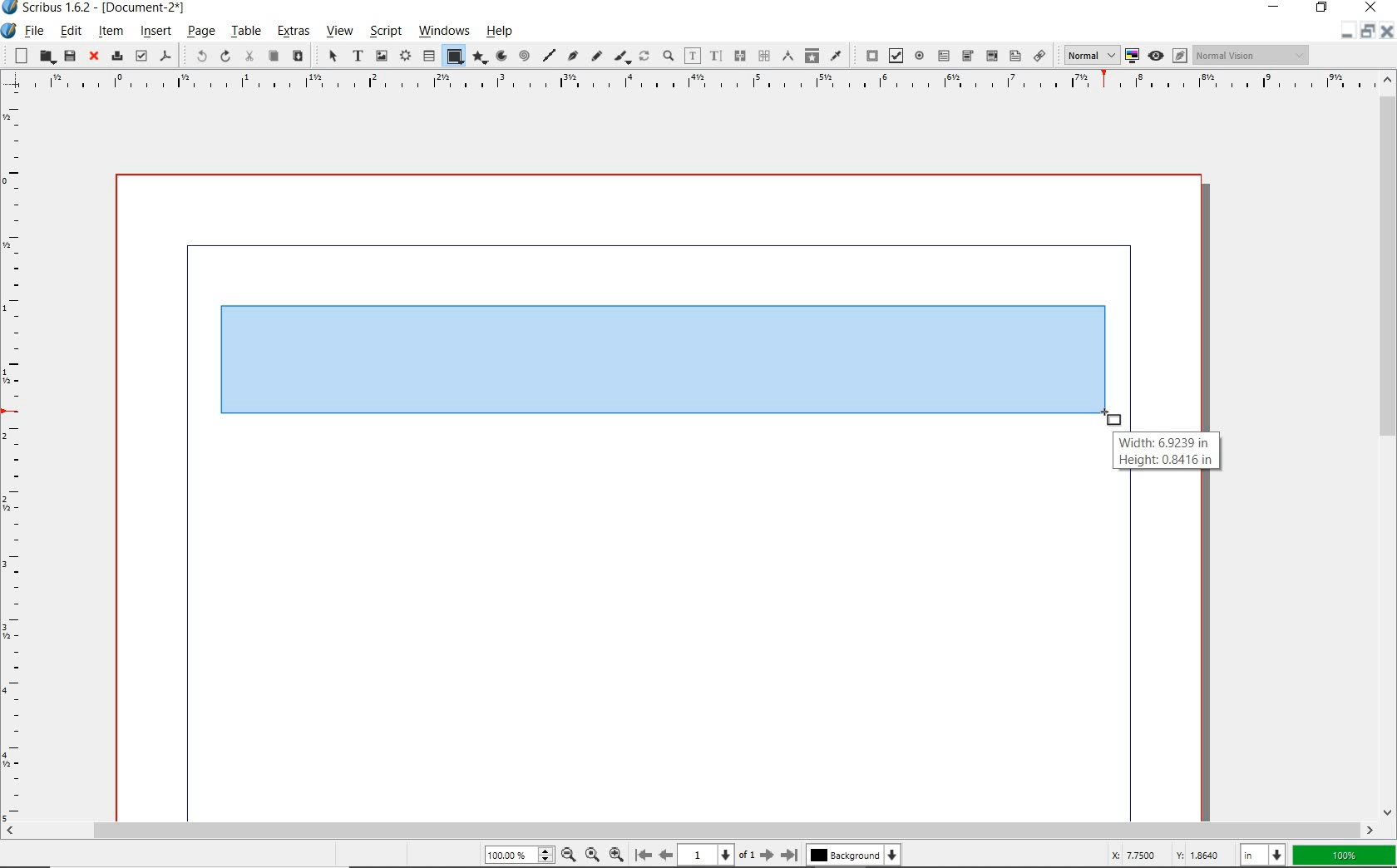 The width and height of the screenshot is (1397, 868). What do you see at coordinates (812, 55) in the screenshot?
I see `copy item properties` at bounding box center [812, 55].